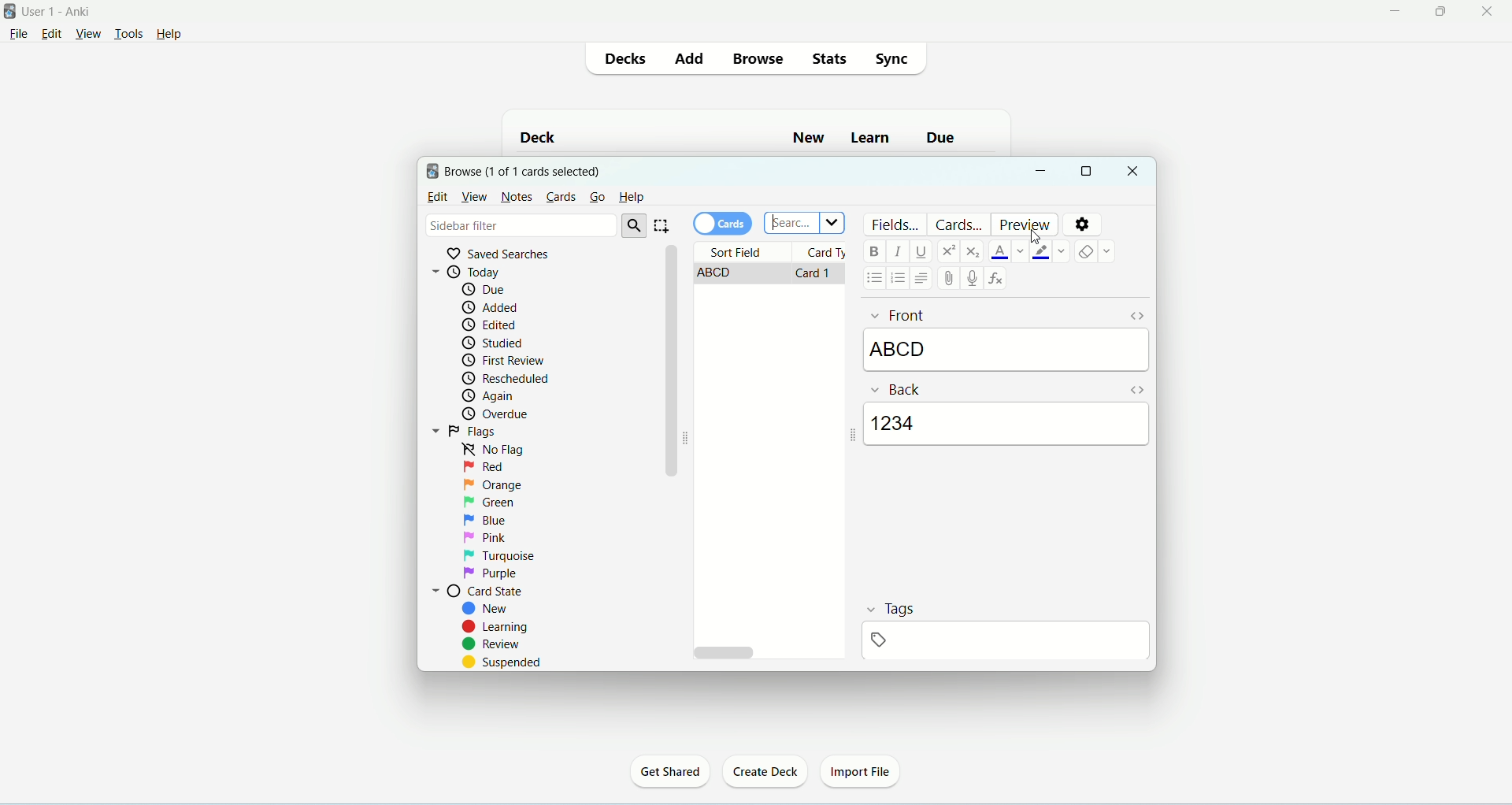 This screenshot has width=1512, height=805. Describe the element at coordinates (1440, 12) in the screenshot. I see `maximize` at that location.